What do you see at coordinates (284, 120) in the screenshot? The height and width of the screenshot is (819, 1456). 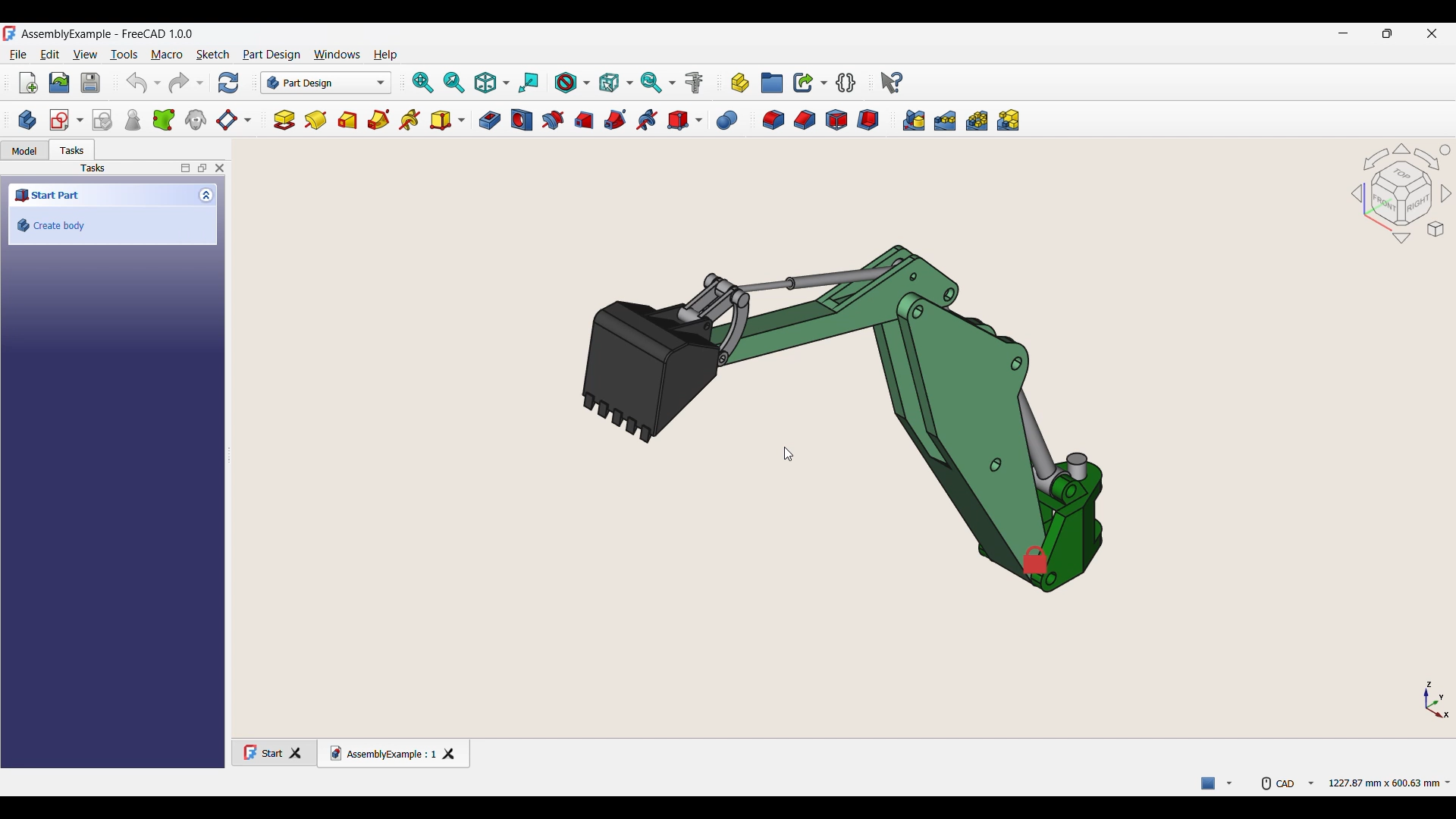 I see `Pad` at bounding box center [284, 120].